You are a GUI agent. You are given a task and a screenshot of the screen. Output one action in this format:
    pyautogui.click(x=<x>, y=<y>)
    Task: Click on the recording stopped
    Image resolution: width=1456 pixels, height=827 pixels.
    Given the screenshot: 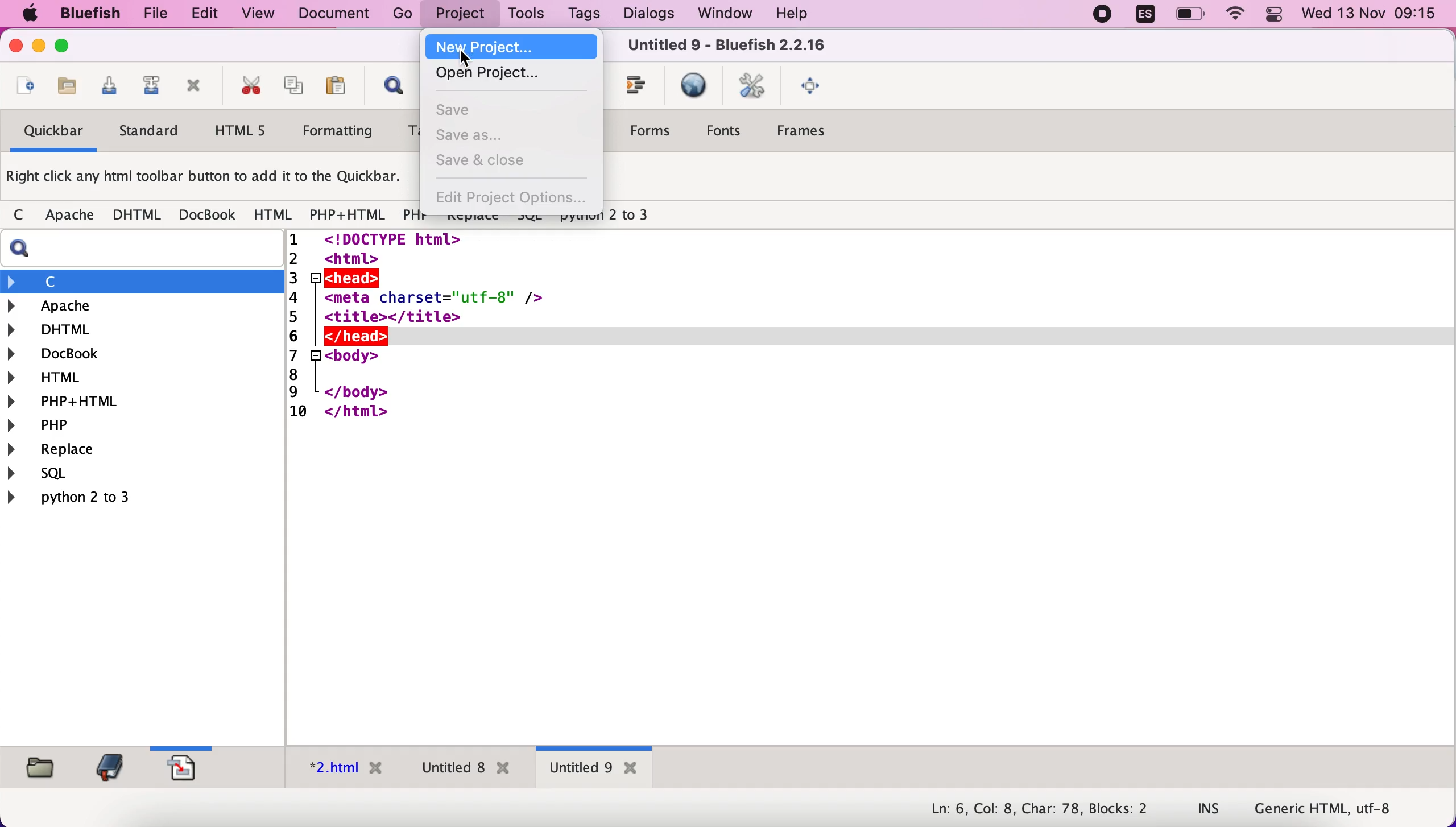 What is the action you would take?
    pyautogui.click(x=1098, y=15)
    